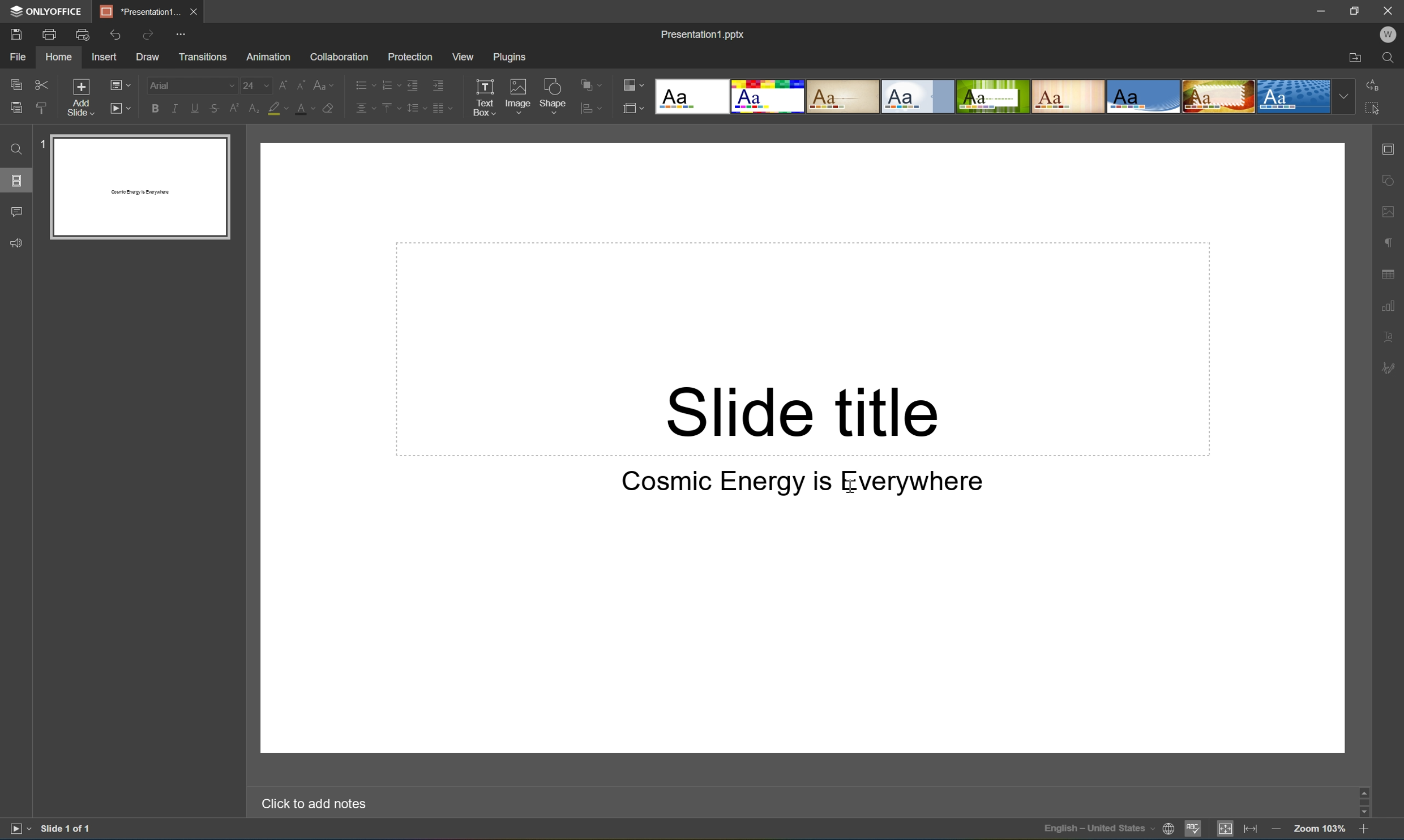  What do you see at coordinates (16, 211) in the screenshot?
I see `Comments` at bounding box center [16, 211].